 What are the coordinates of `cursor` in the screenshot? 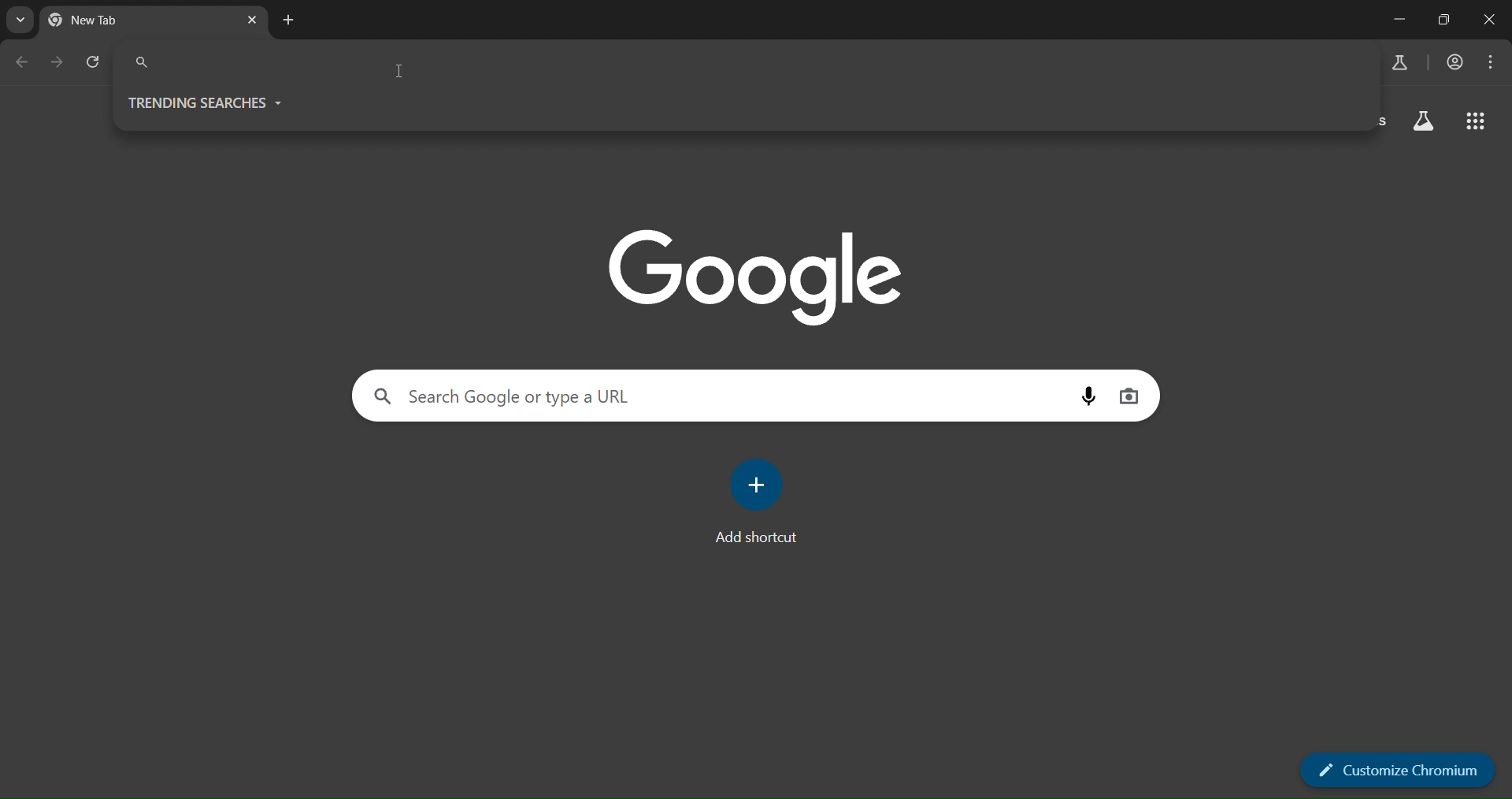 It's located at (401, 73).